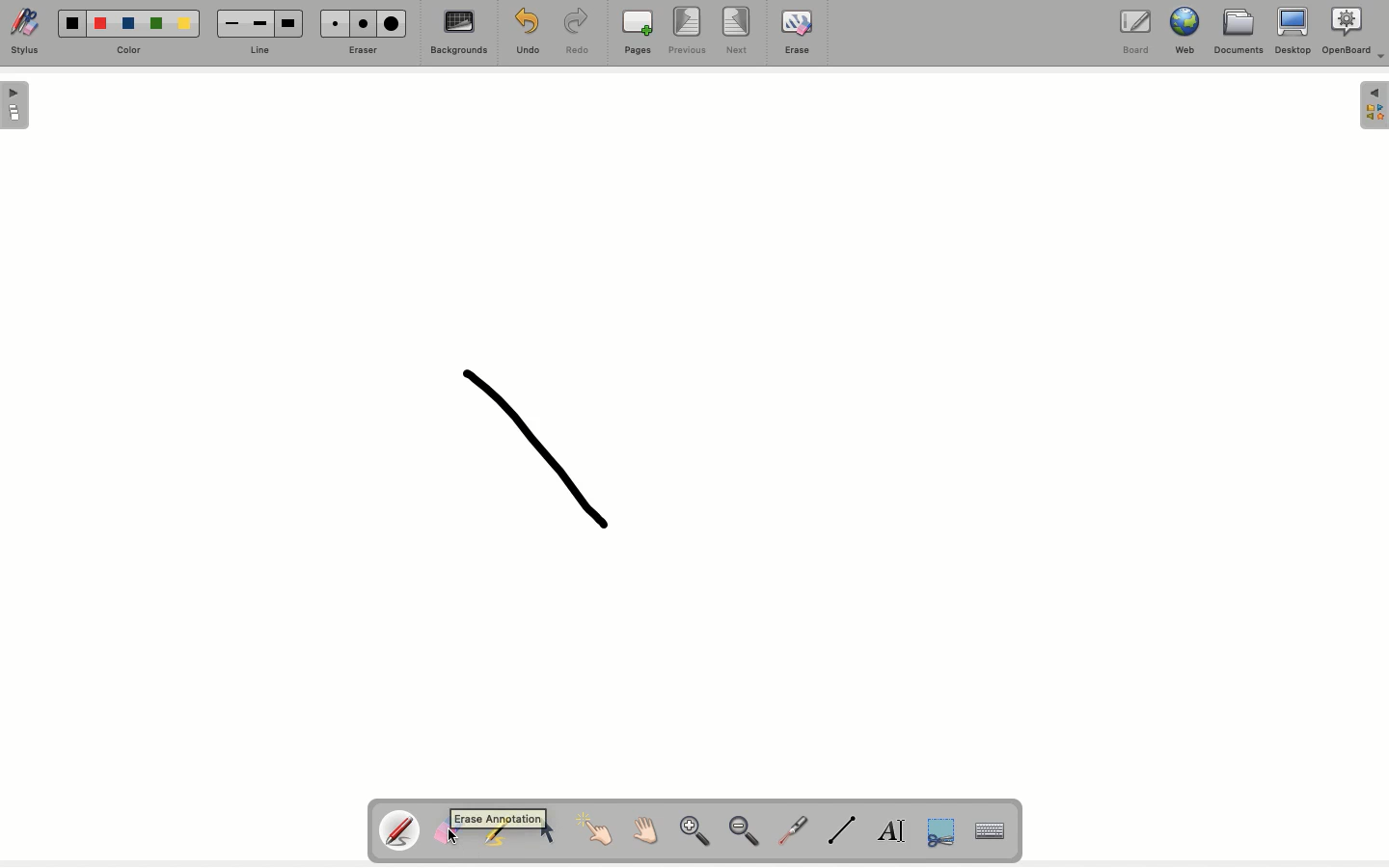  Describe the element at coordinates (1292, 33) in the screenshot. I see `Desktop` at that location.